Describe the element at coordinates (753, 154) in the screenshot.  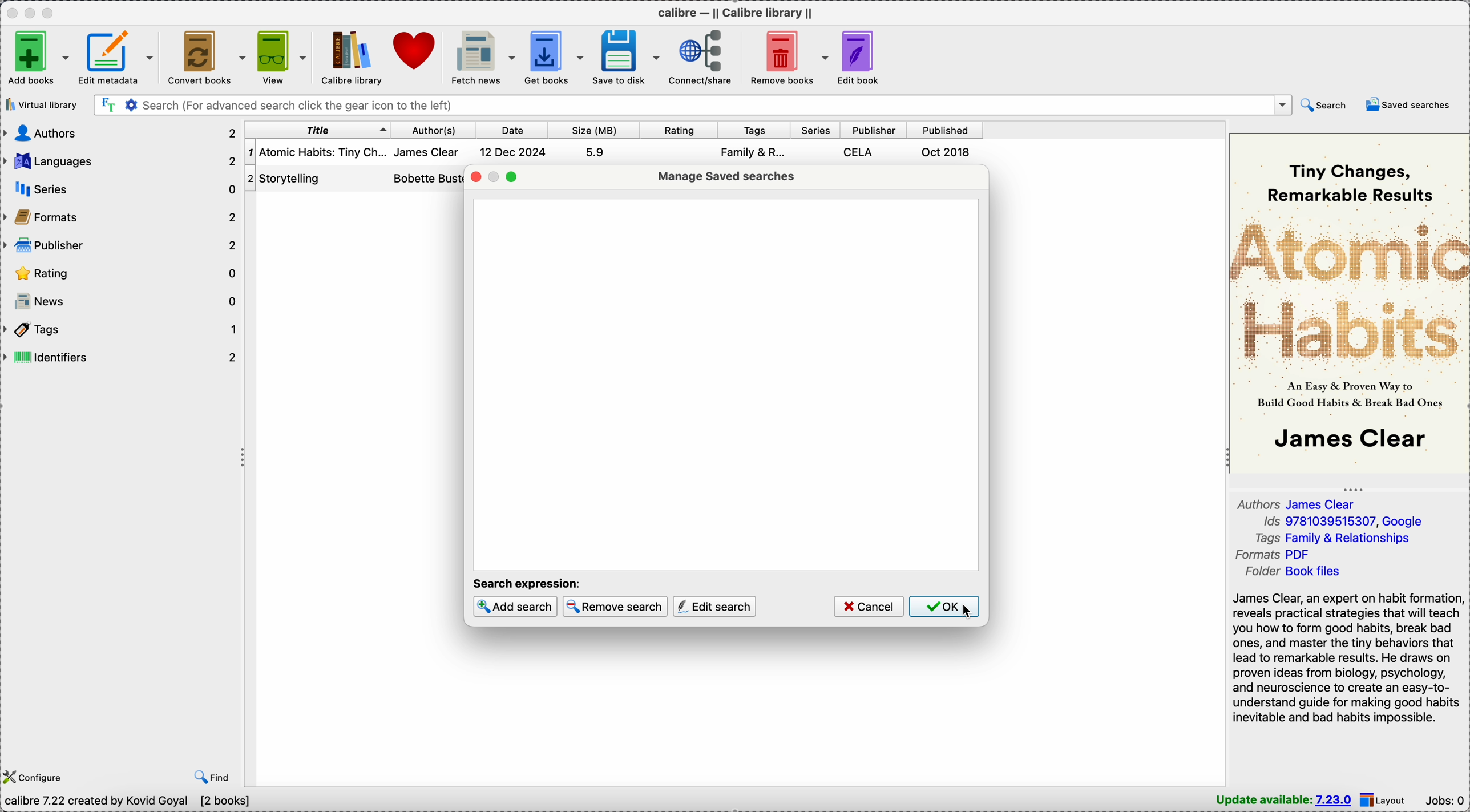
I see `ags` at that location.